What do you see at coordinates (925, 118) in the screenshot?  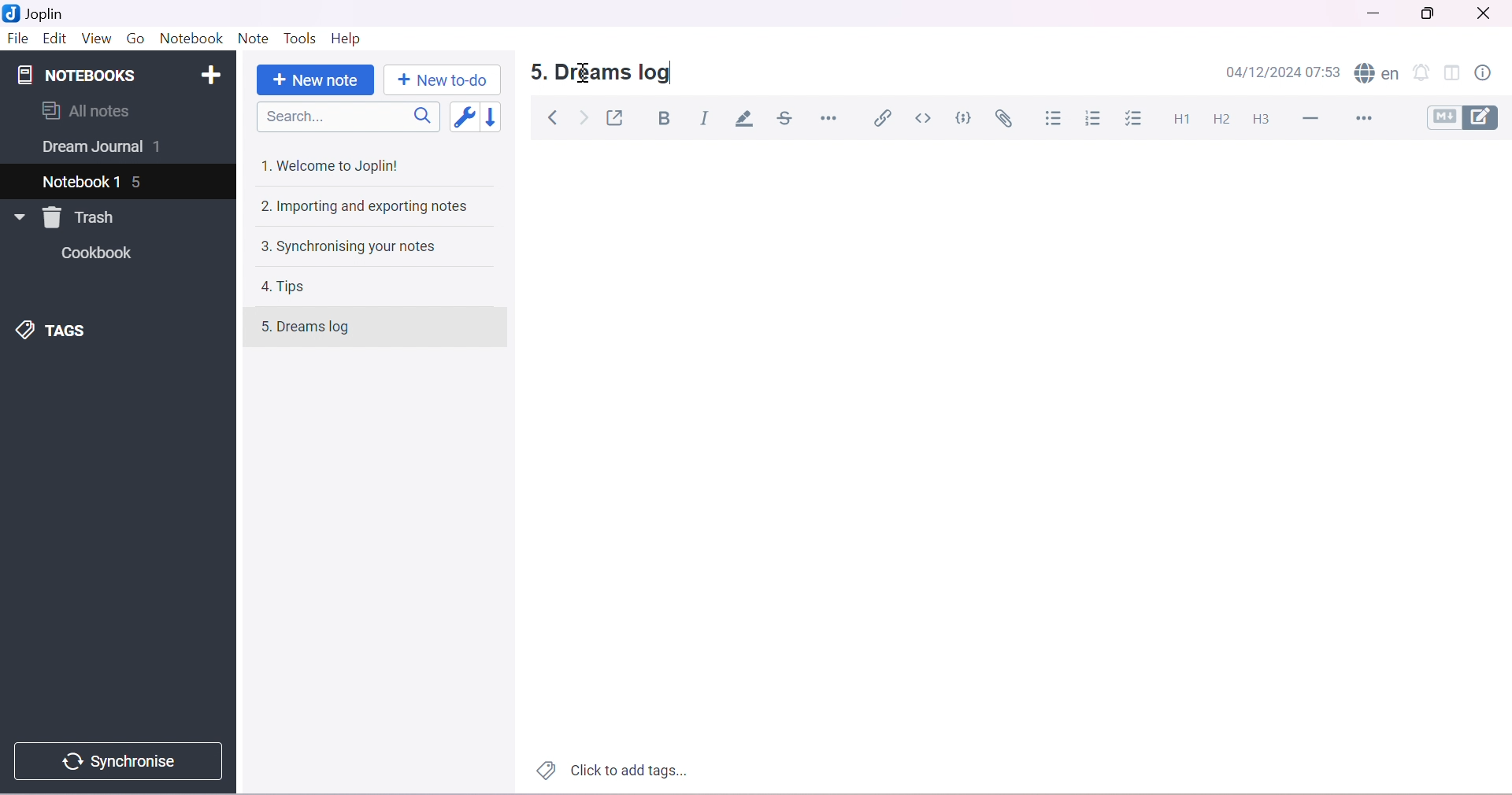 I see `Inline code` at bounding box center [925, 118].